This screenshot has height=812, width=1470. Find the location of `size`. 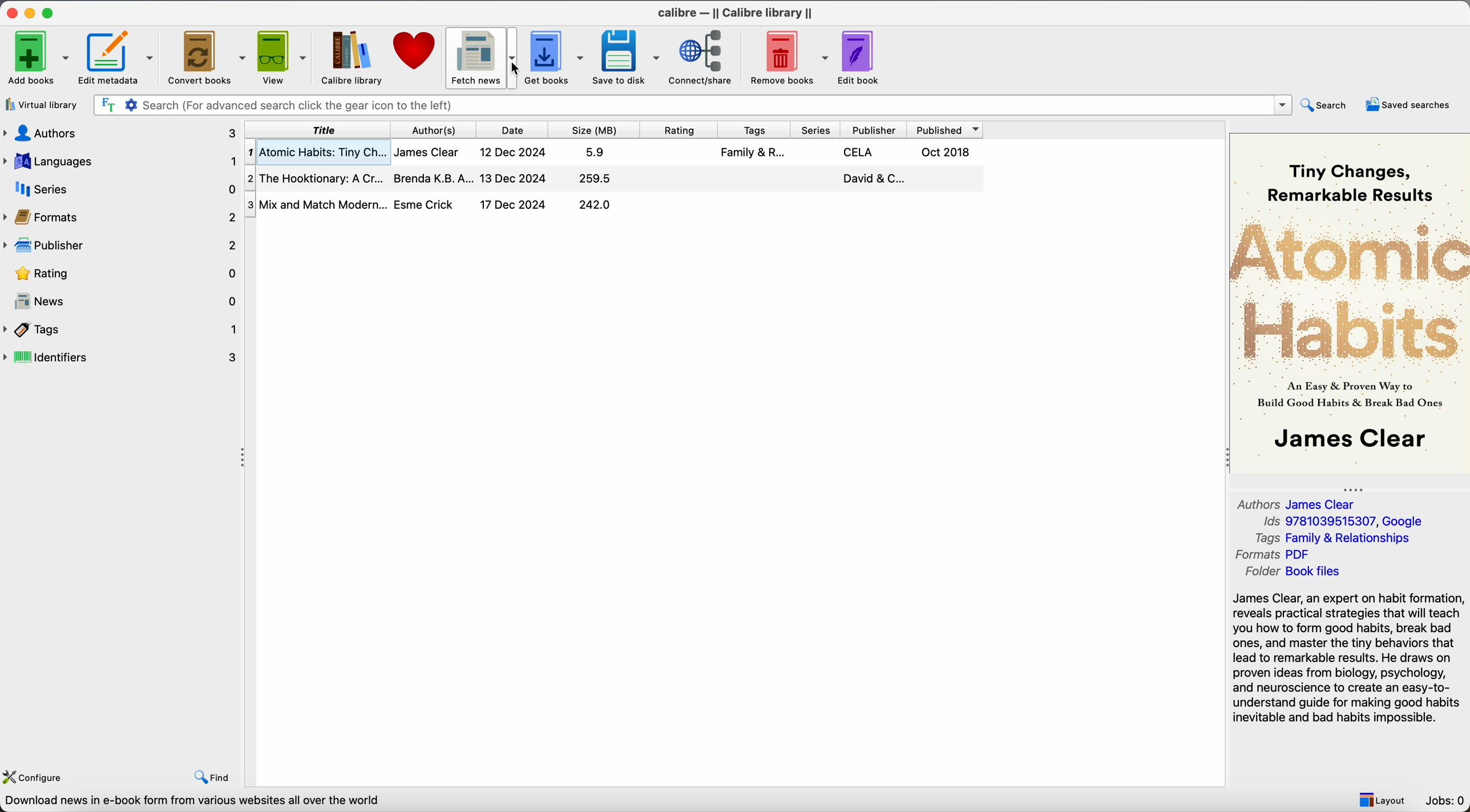

size is located at coordinates (598, 130).